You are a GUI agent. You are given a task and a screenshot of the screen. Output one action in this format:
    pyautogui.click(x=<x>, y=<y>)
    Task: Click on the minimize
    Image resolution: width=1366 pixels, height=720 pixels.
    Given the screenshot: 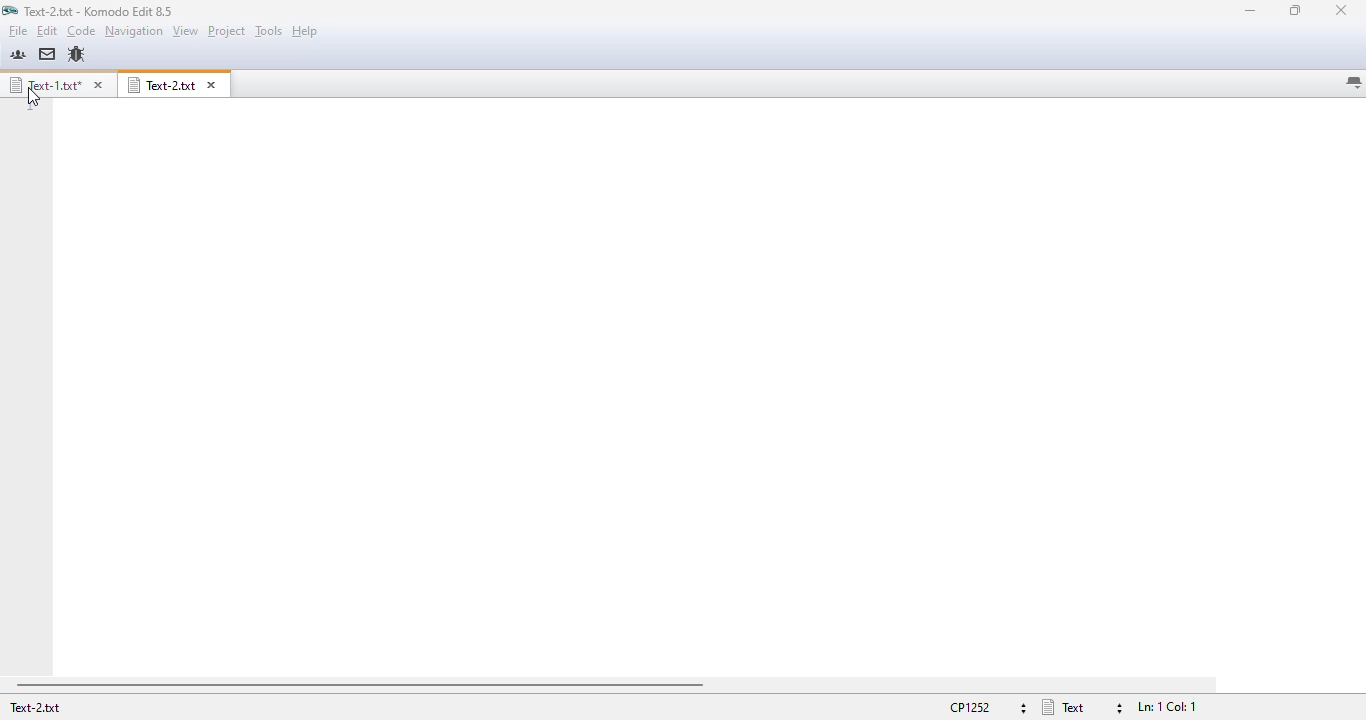 What is the action you would take?
    pyautogui.click(x=1252, y=11)
    